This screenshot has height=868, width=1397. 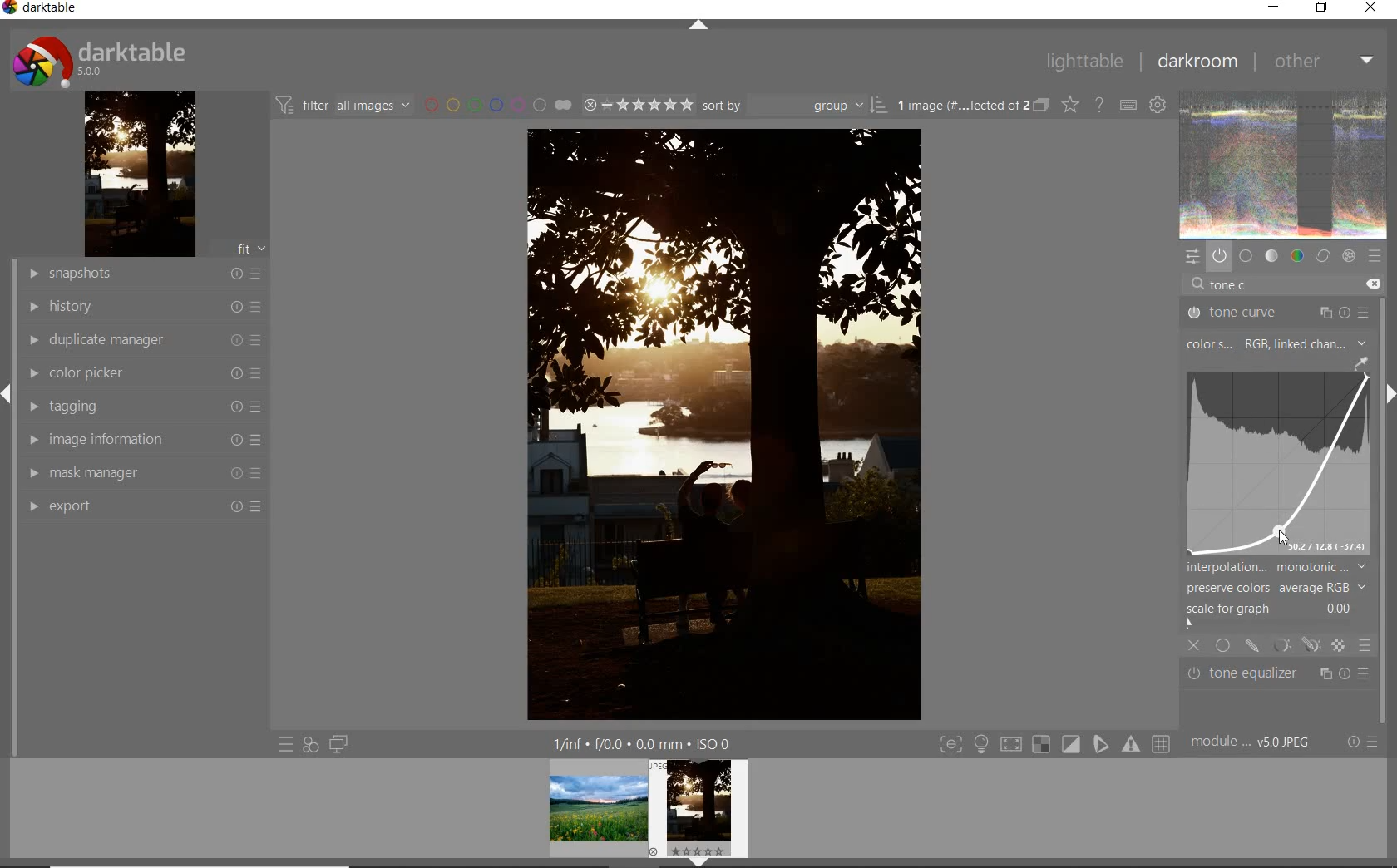 I want to click on uniformly, so click(x=1222, y=645).